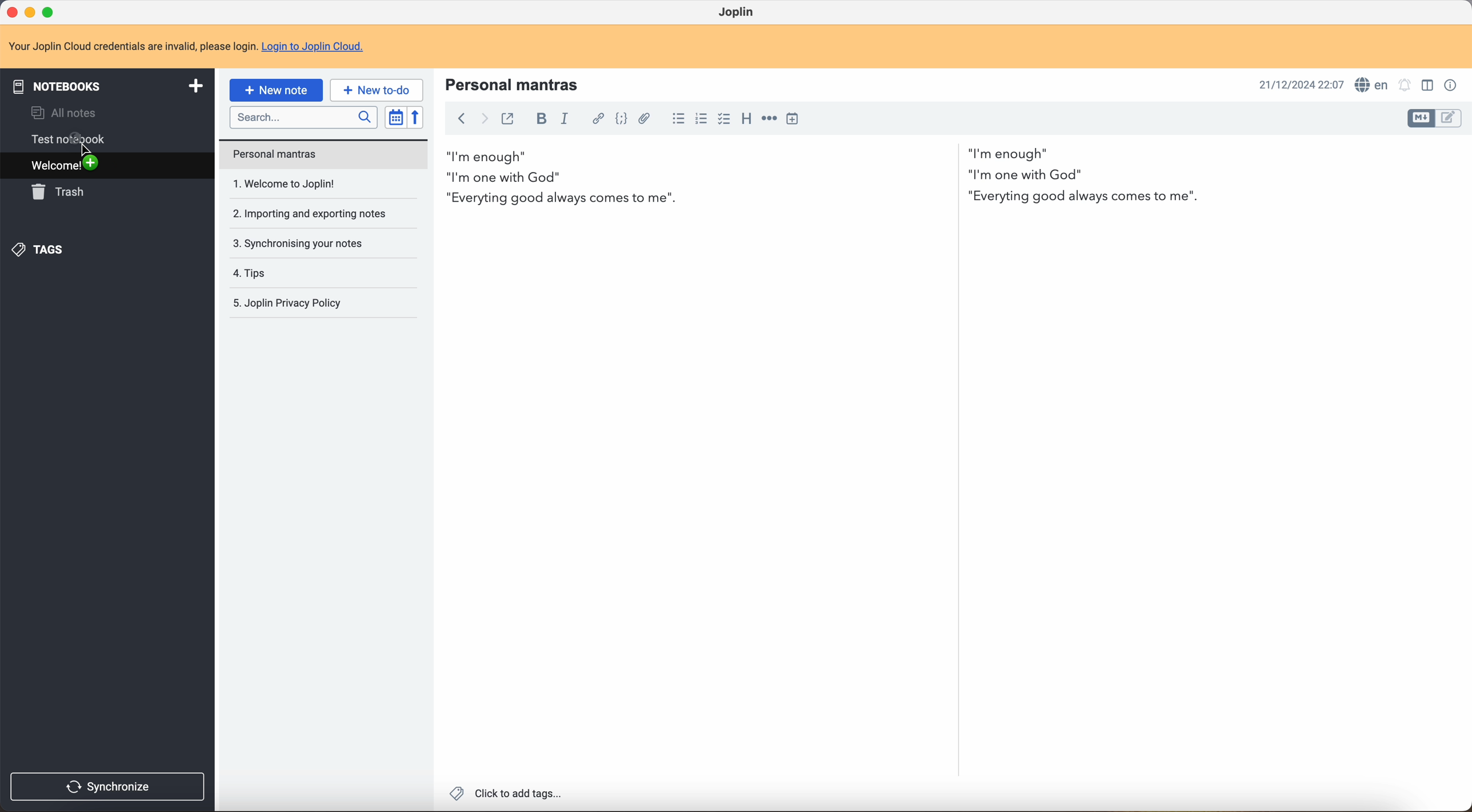  I want to click on title, so click(514, 83).